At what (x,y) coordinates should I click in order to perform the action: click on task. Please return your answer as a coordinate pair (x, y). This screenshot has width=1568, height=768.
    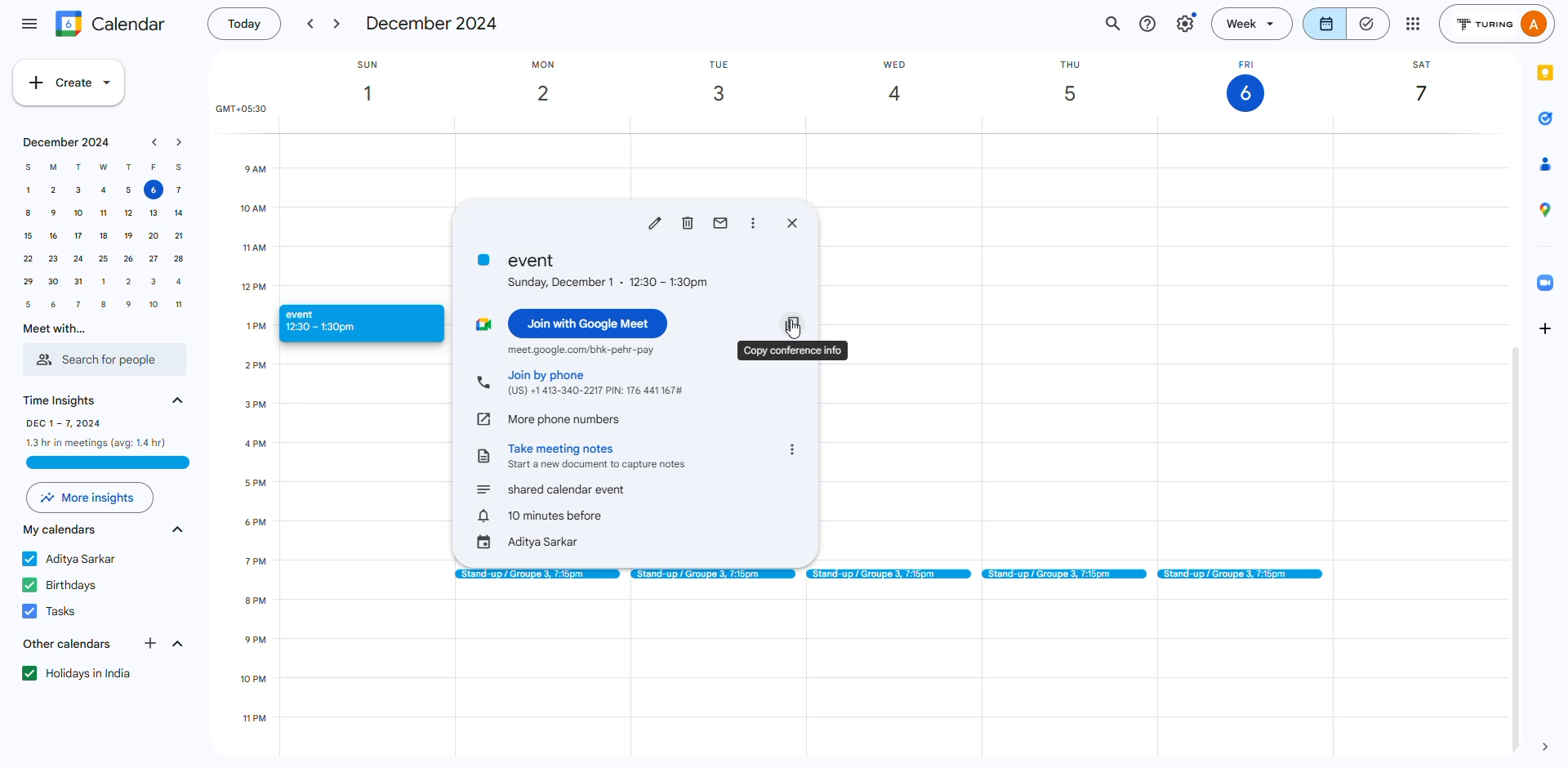
    Looking at the image, I should click on (52, 609).